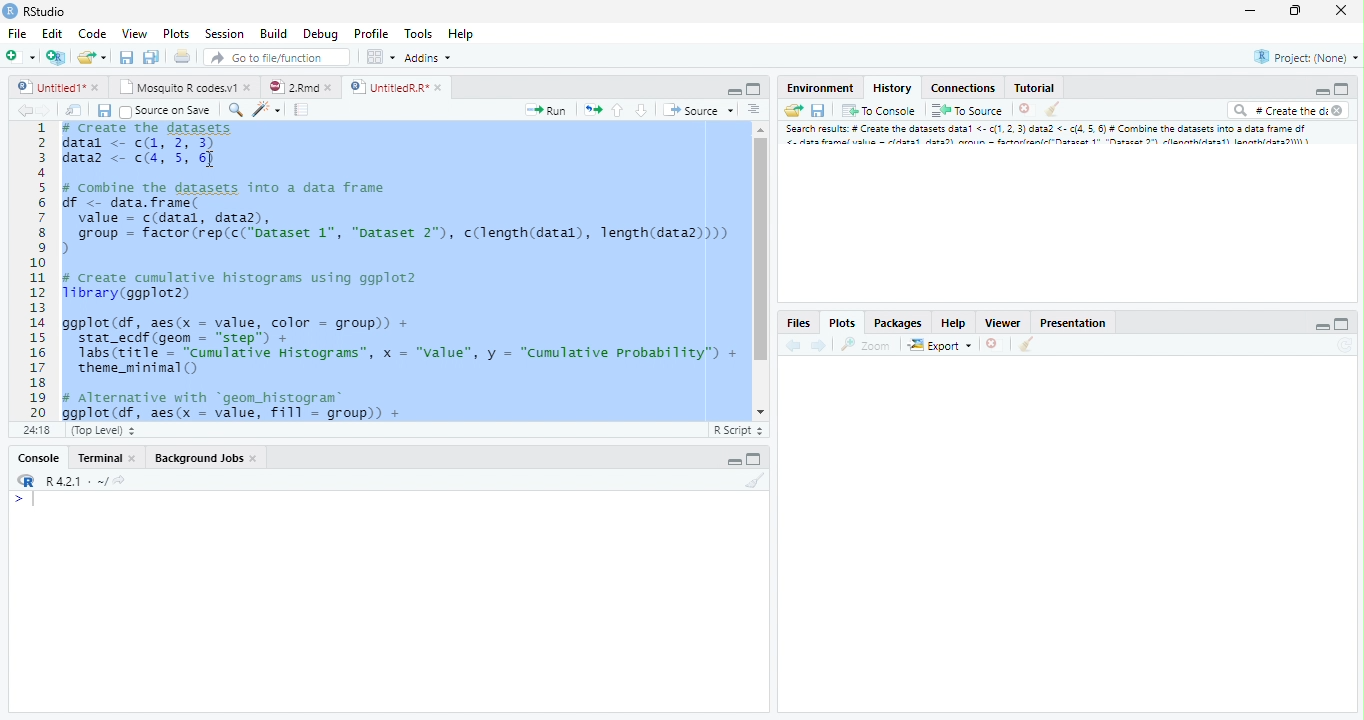  What do you see at coordinates (1286, 112) in the screenshot?
I see `# Create the di` at bounding box center [1286, 112].